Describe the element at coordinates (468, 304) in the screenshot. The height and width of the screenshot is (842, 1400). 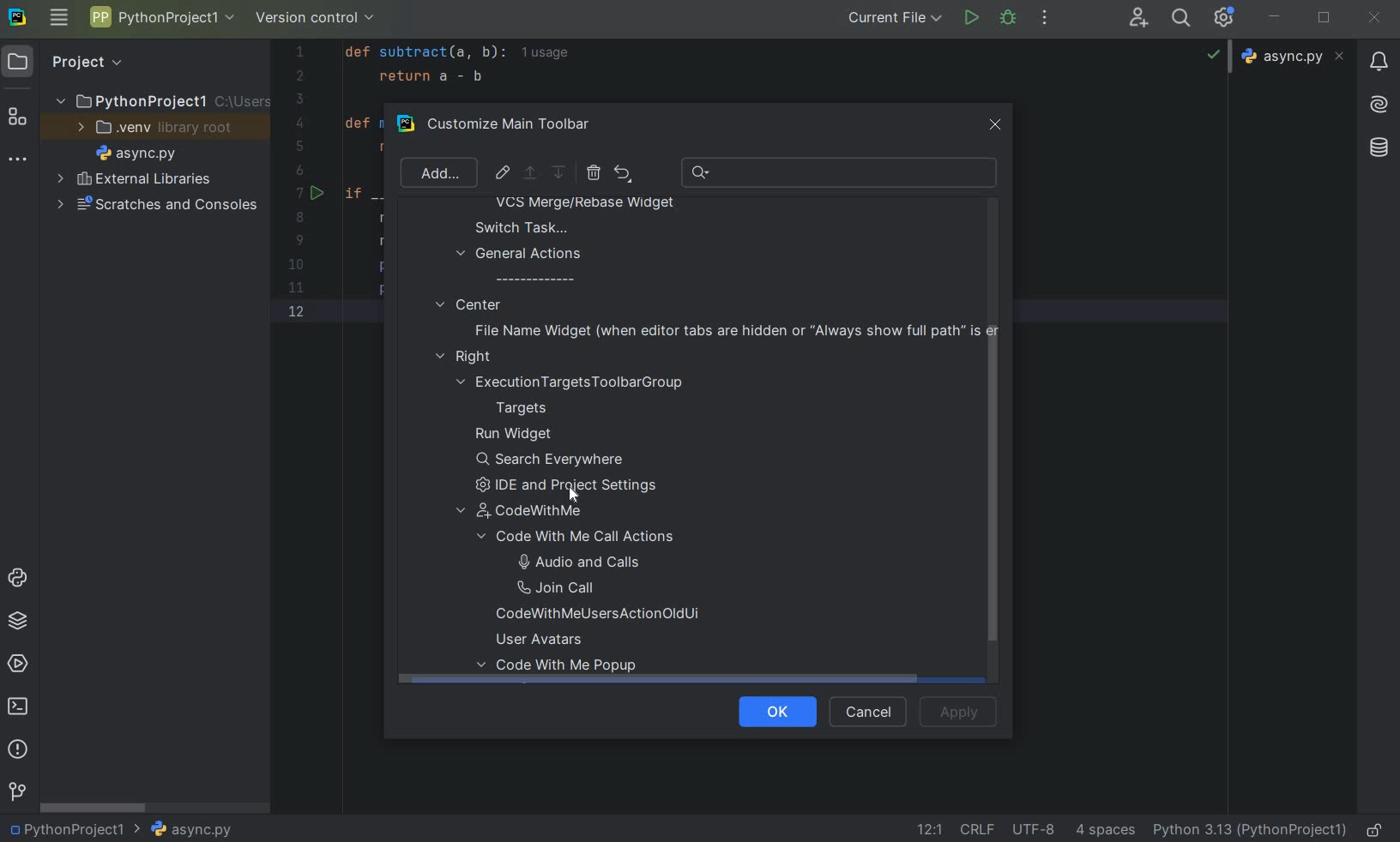
I see `center` at that location.